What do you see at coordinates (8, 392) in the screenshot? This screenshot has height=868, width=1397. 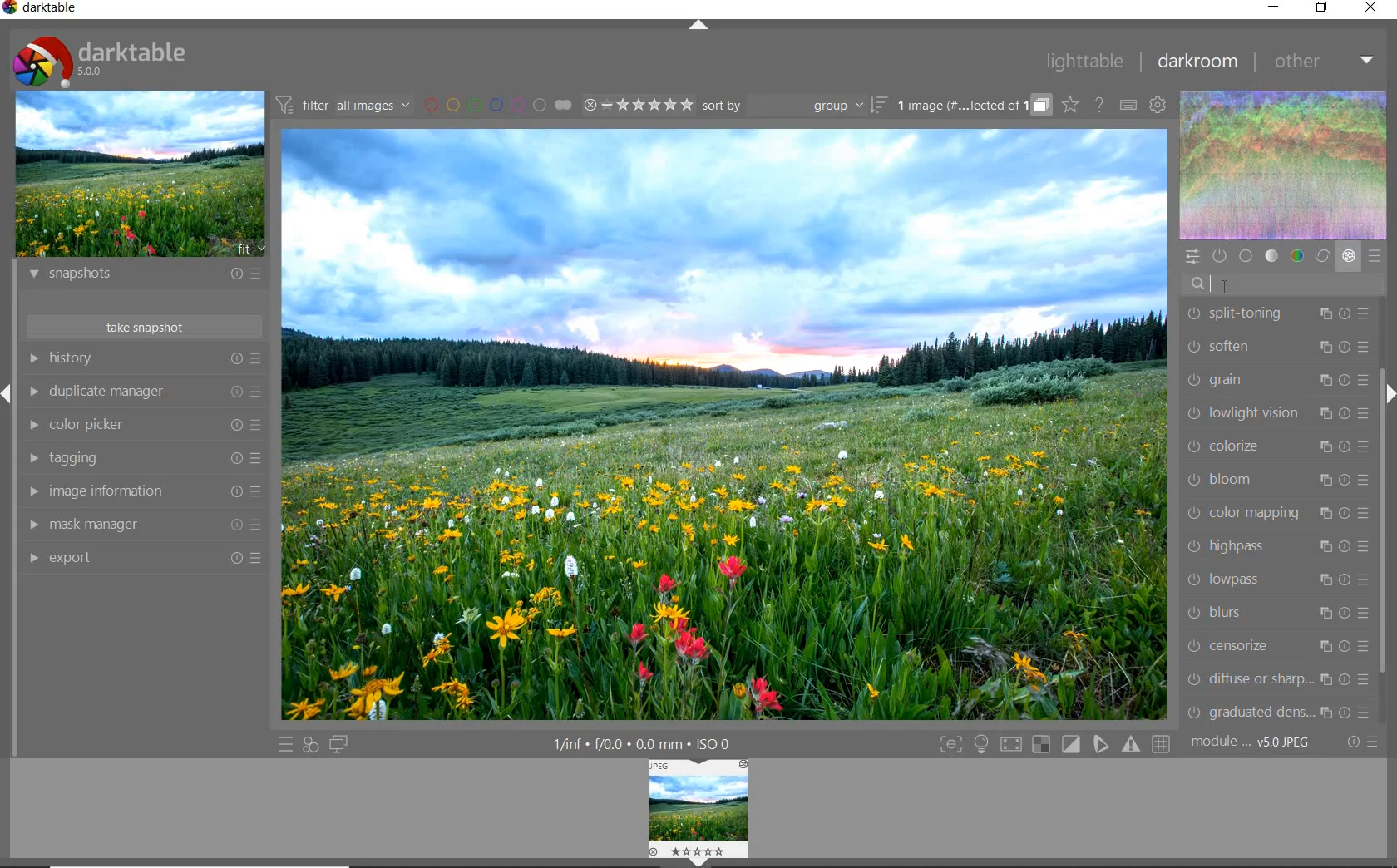 I see `Expand / Collapse` at bounding box center [8, 392].